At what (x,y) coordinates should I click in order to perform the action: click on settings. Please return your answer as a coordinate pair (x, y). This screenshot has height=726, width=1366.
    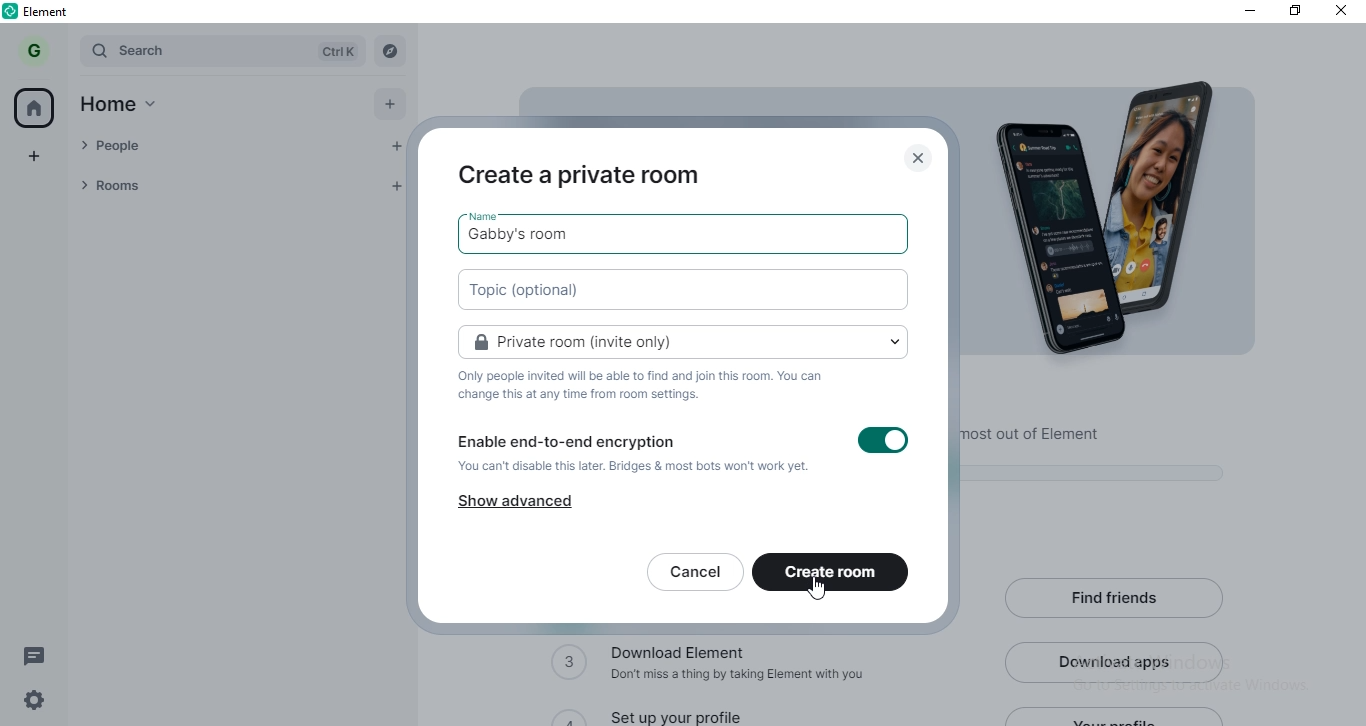
    Looking at the image, I should click on (29, 704).